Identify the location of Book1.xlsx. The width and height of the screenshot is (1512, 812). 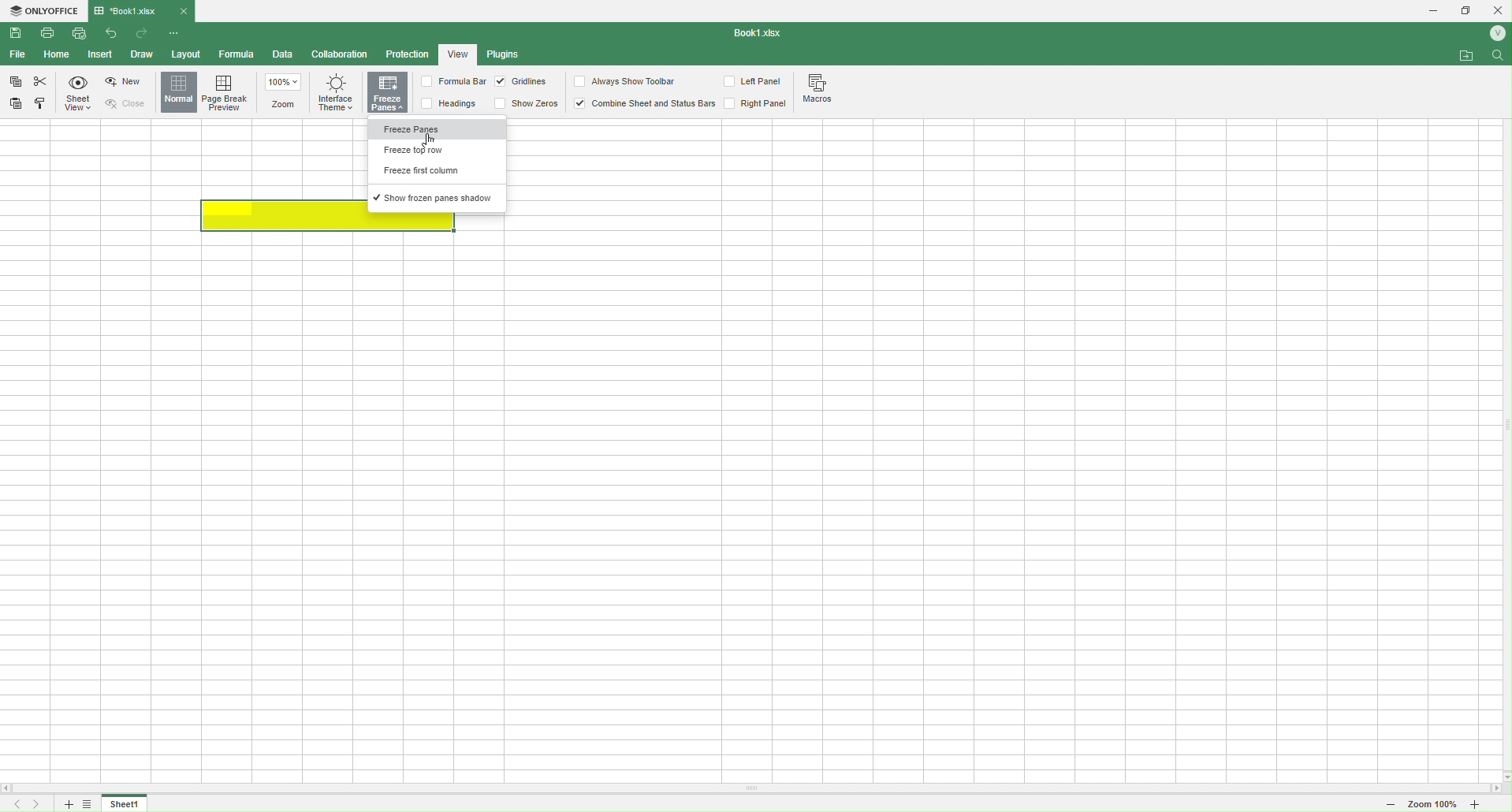
(132, 10).